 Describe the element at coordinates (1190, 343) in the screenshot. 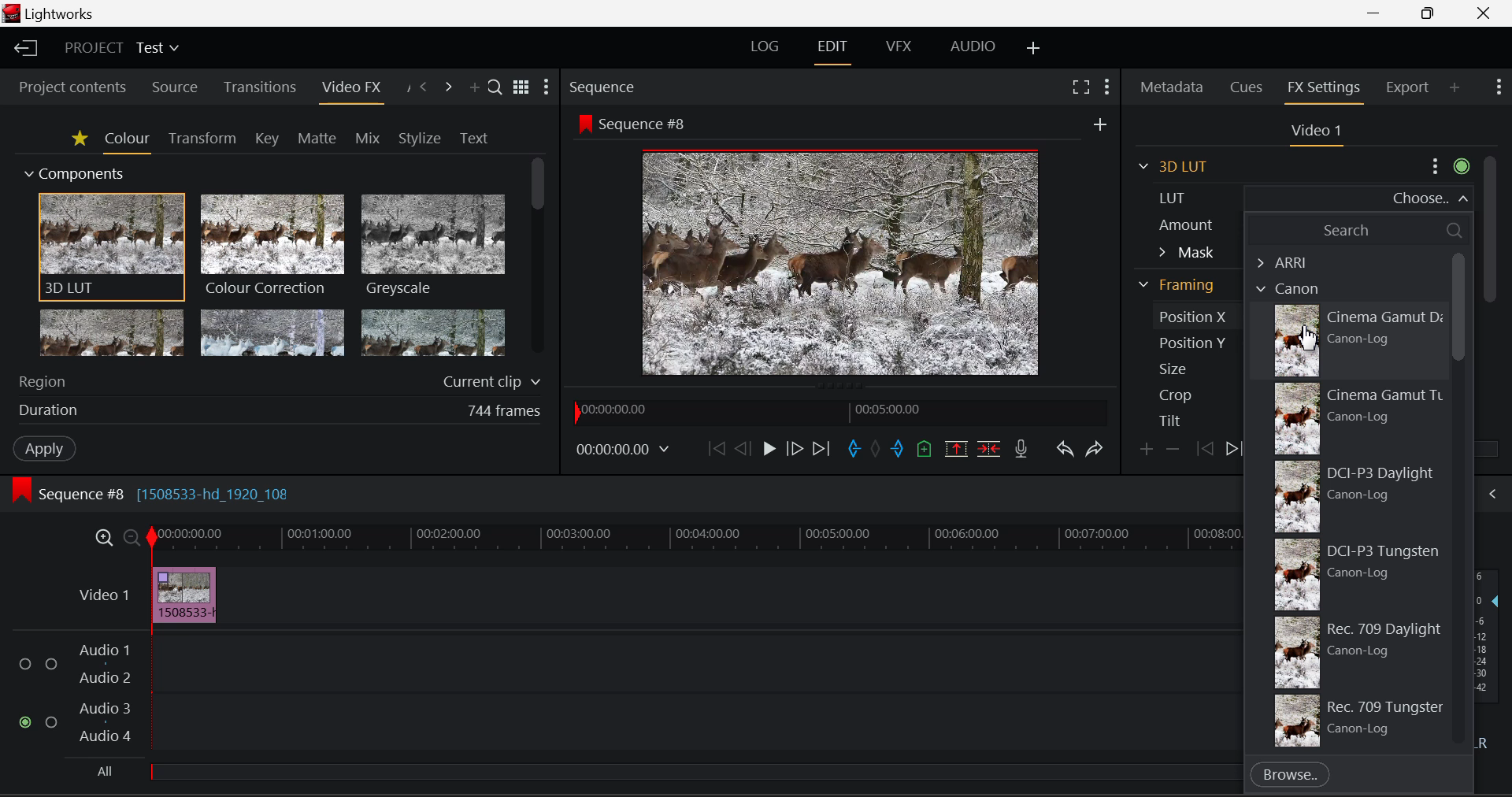

I see `Position Y` at that location.